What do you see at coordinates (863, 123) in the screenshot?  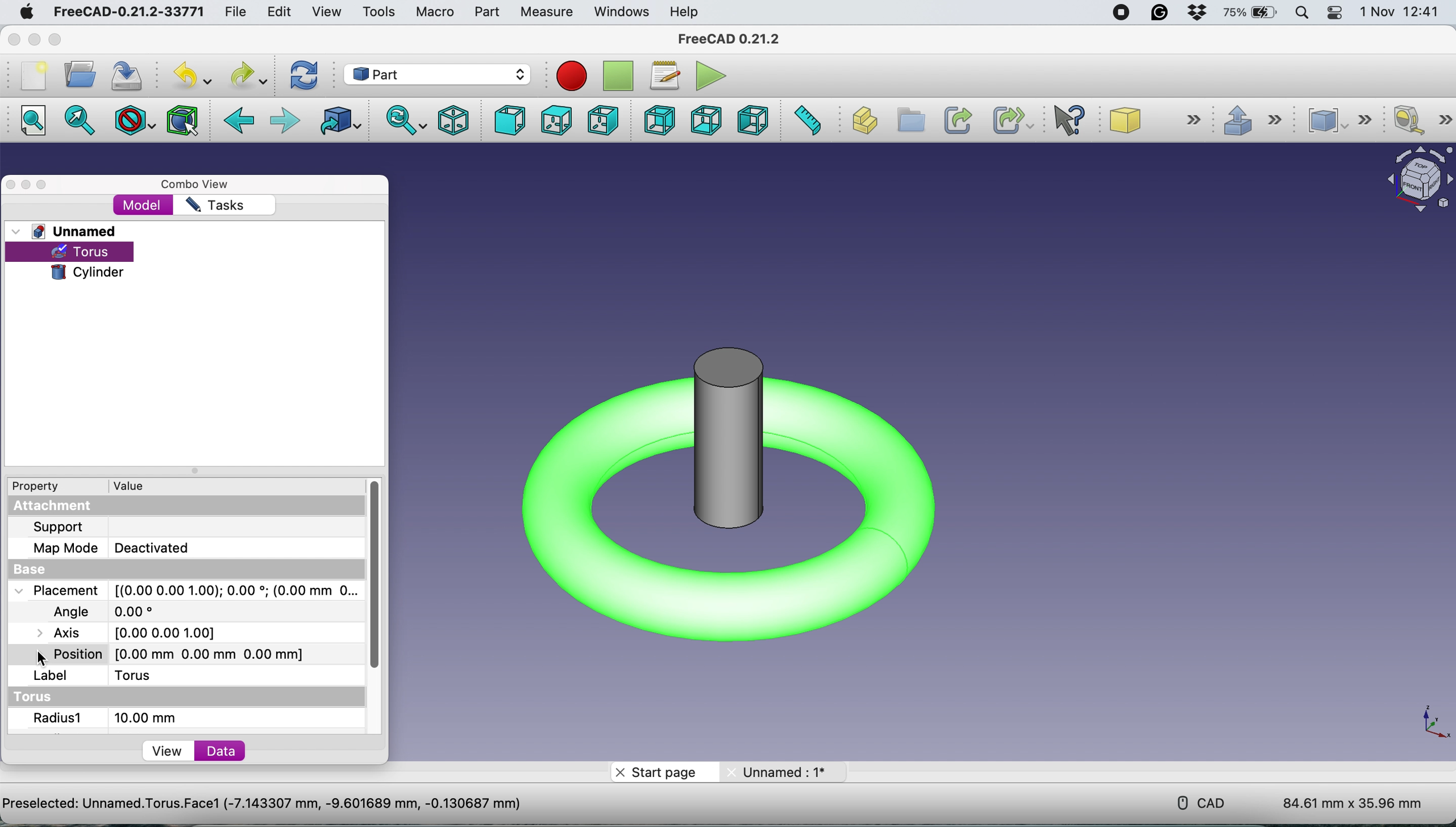 I see `create part` at bounding box center [863, 123].